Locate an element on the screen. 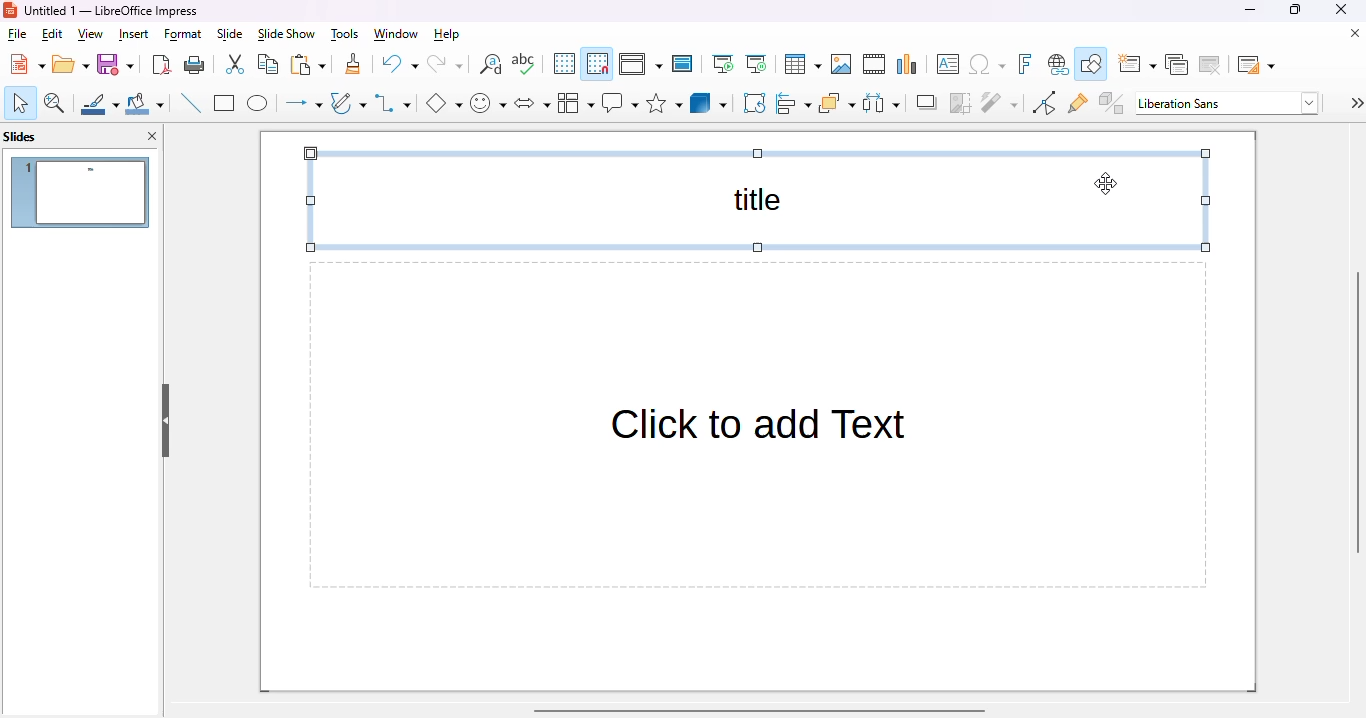  connectors is located at coordinates (393, 103).